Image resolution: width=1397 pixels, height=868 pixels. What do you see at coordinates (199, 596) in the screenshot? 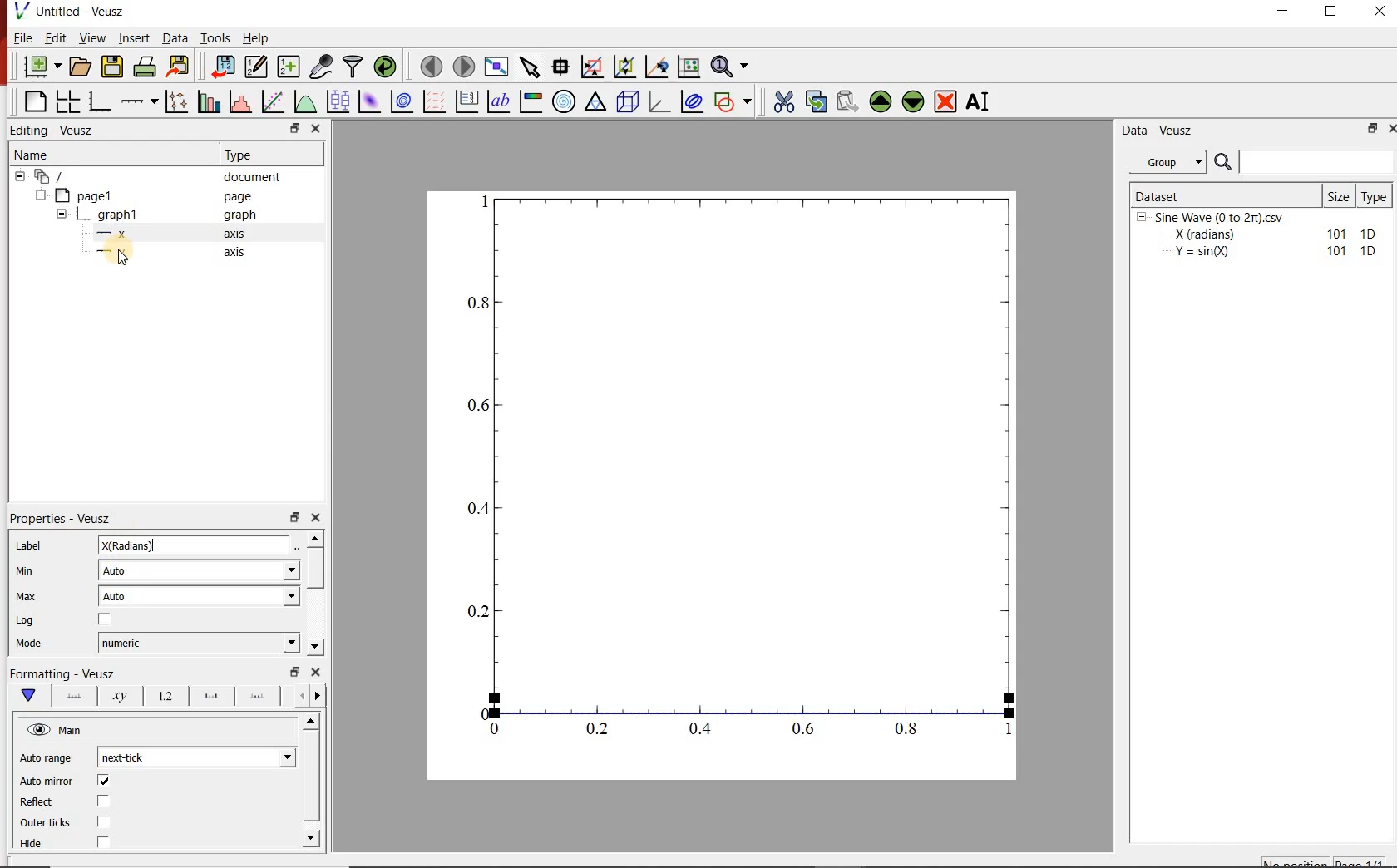
I see `Auto` at bounding box center [199, 596].